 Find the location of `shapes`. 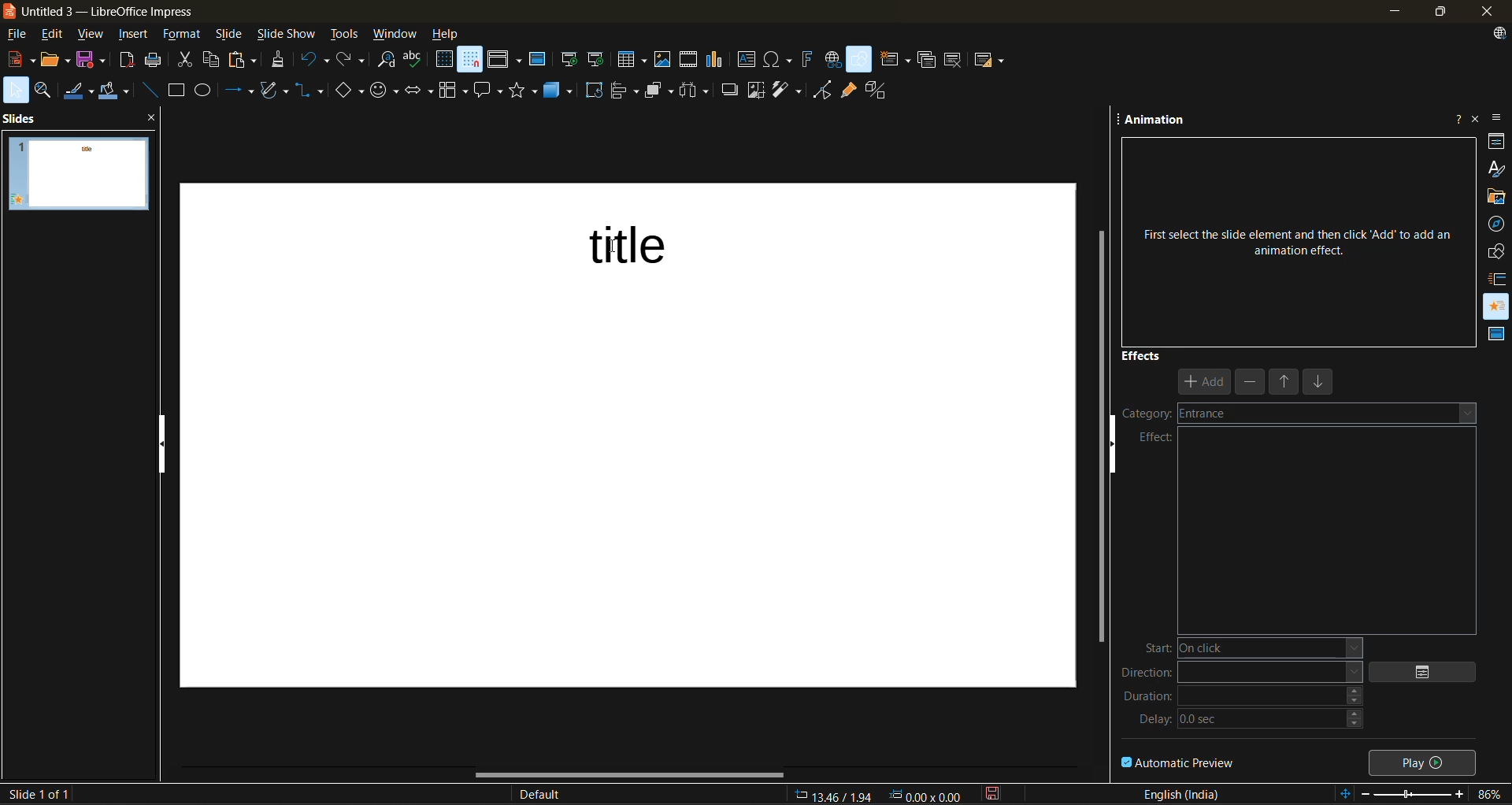

shapes is located at coordinates (1498, 251).